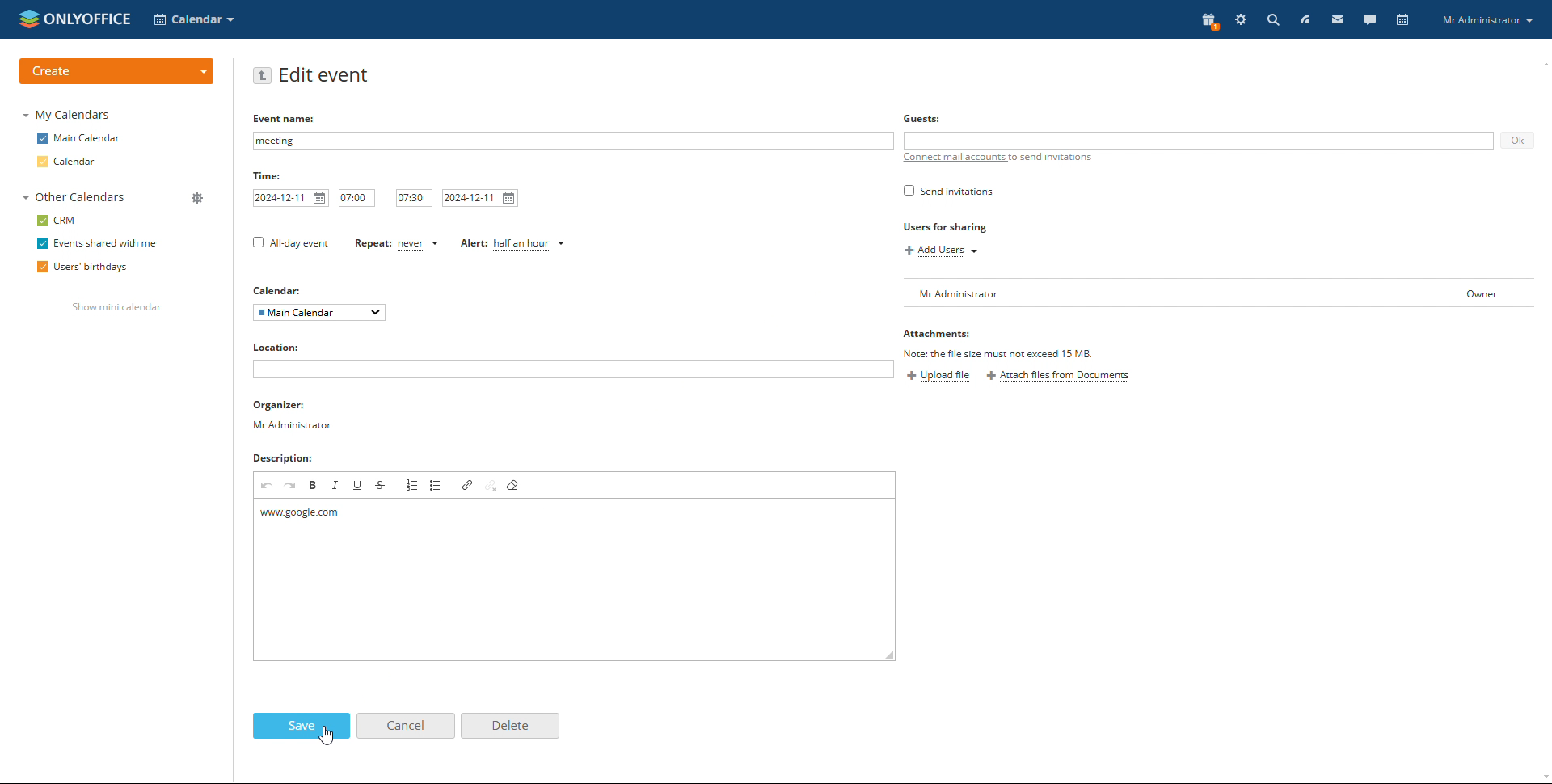 This screenshot has width=1552, height=784. Describe the element at coordinates (947, 228) in the screenshot. I see `Users for sharing` at that location.